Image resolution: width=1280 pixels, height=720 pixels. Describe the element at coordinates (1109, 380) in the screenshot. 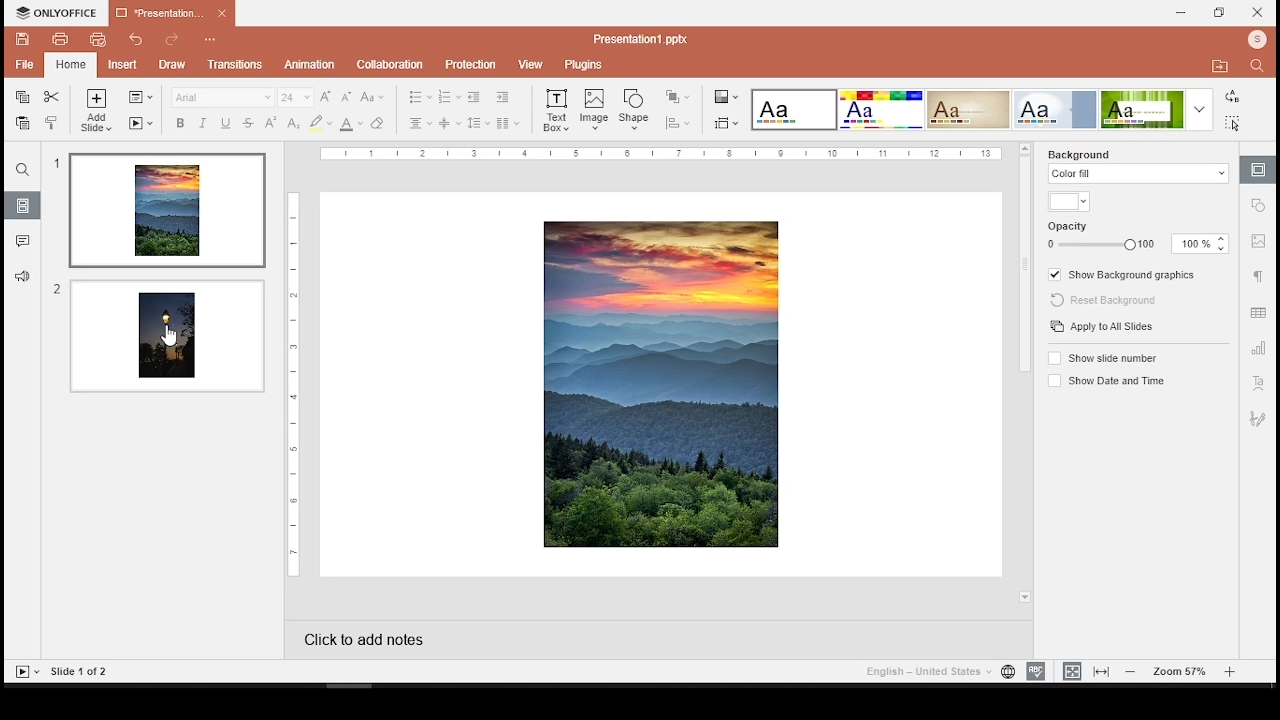

I see `show date and time on/off` at that location.